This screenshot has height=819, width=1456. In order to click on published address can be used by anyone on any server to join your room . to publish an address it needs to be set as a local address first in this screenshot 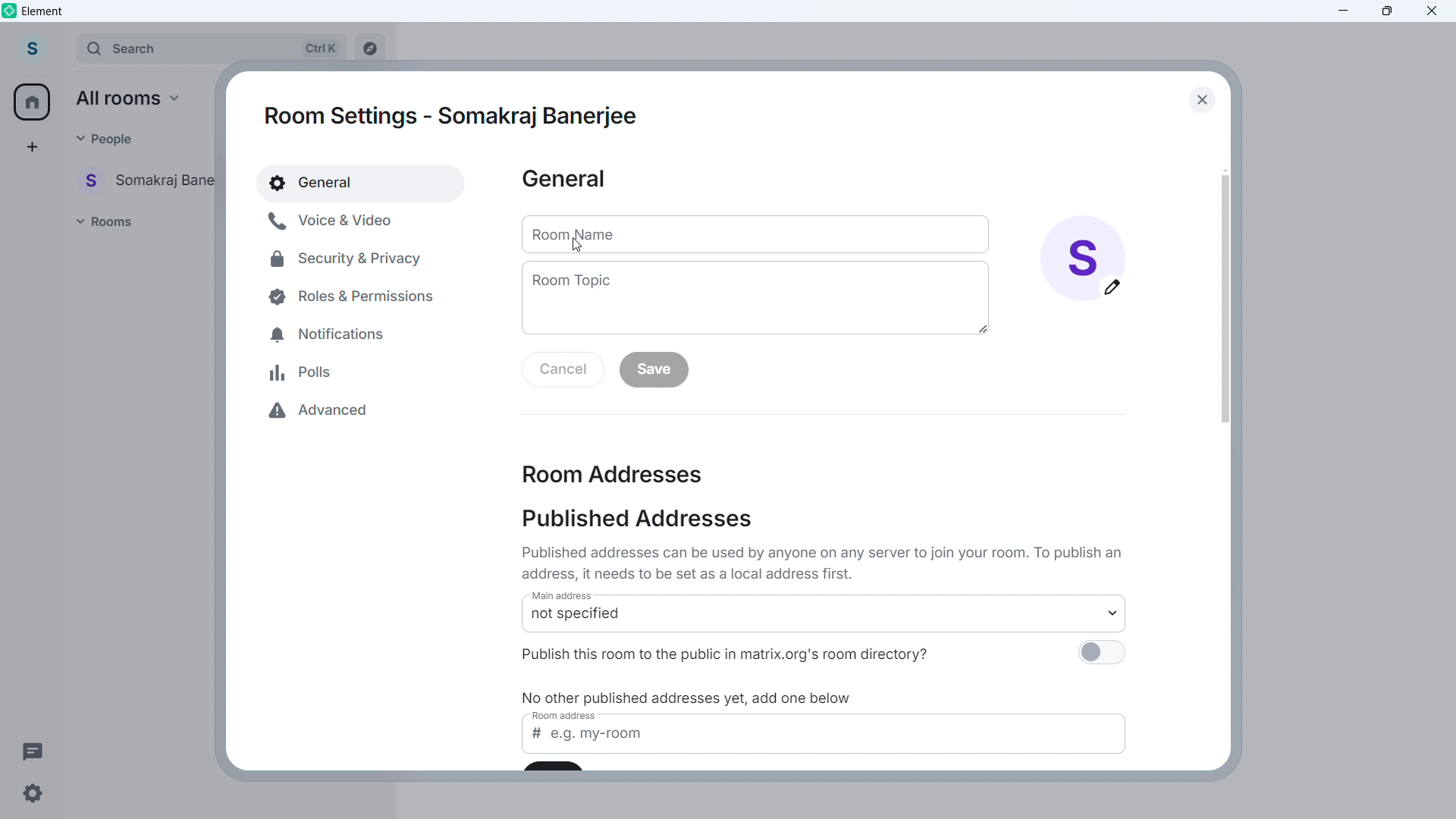, I will do `click(826, 563)`.